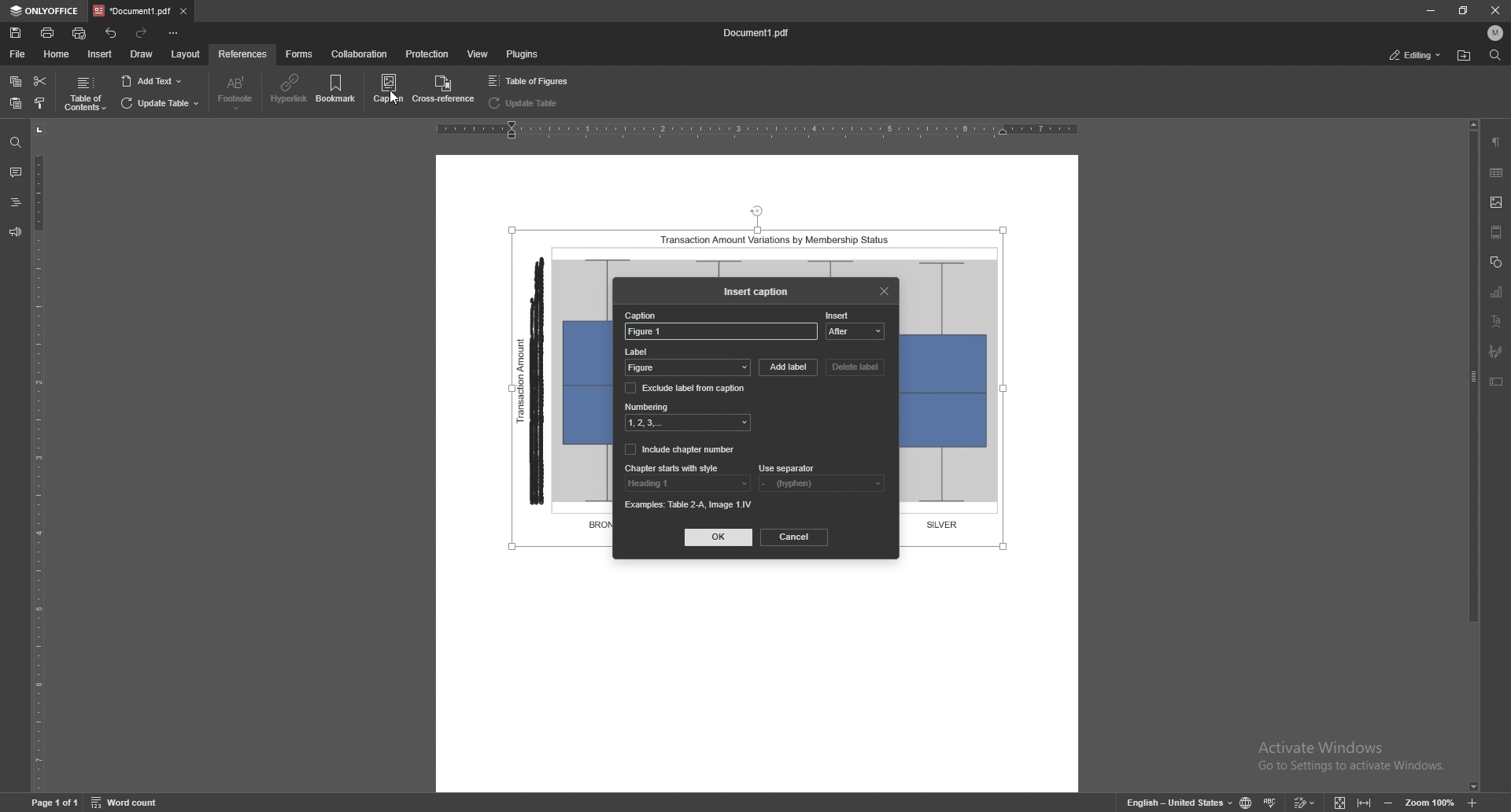 This screenshot has width=1511, height=812. I want to click on word count, so click(127, 802).